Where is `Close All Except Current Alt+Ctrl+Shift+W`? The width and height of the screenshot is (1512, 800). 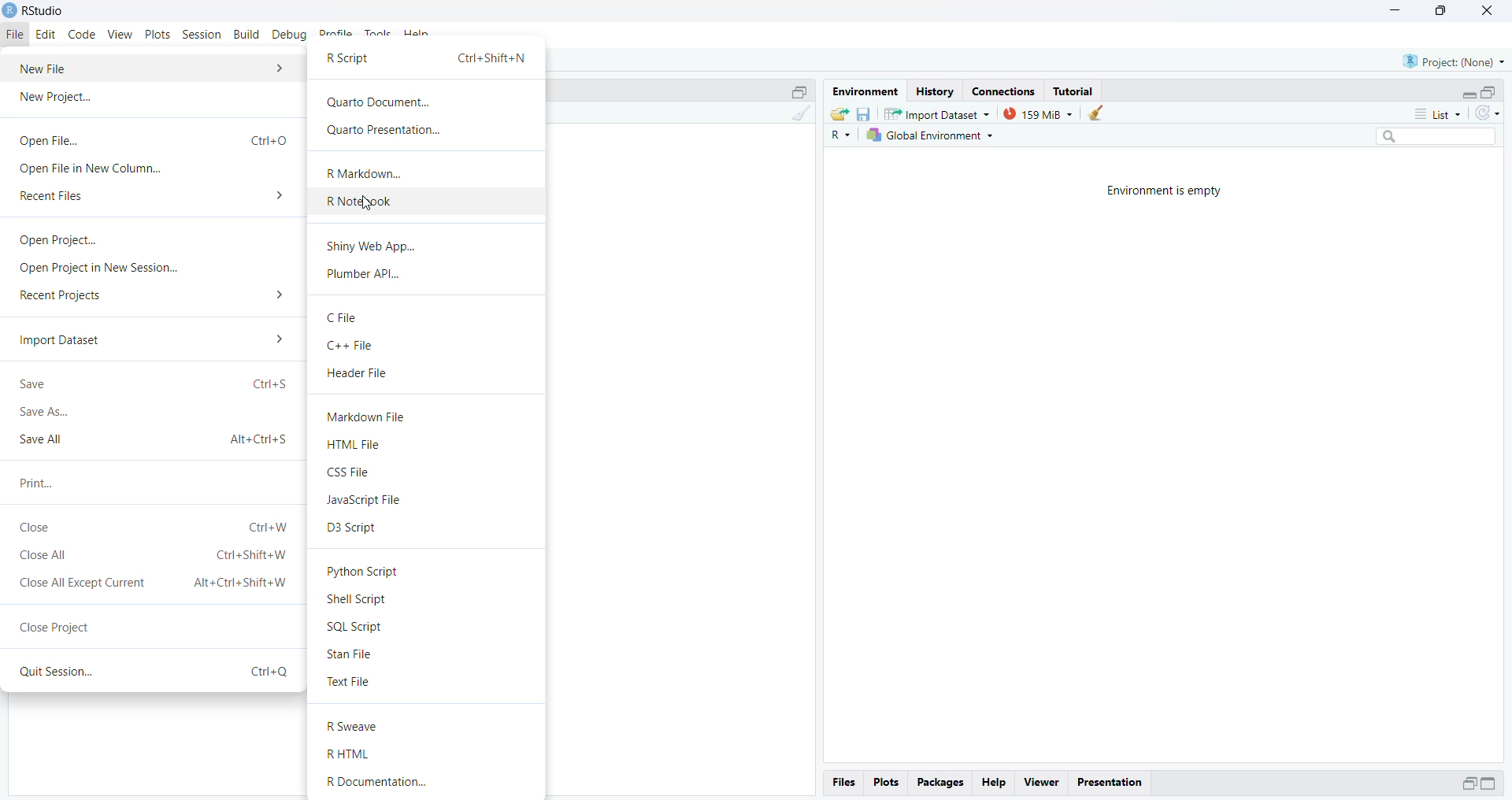
Close All Except Current Alt+Ctrl+Shift+W is located at coordinates (154, 583).